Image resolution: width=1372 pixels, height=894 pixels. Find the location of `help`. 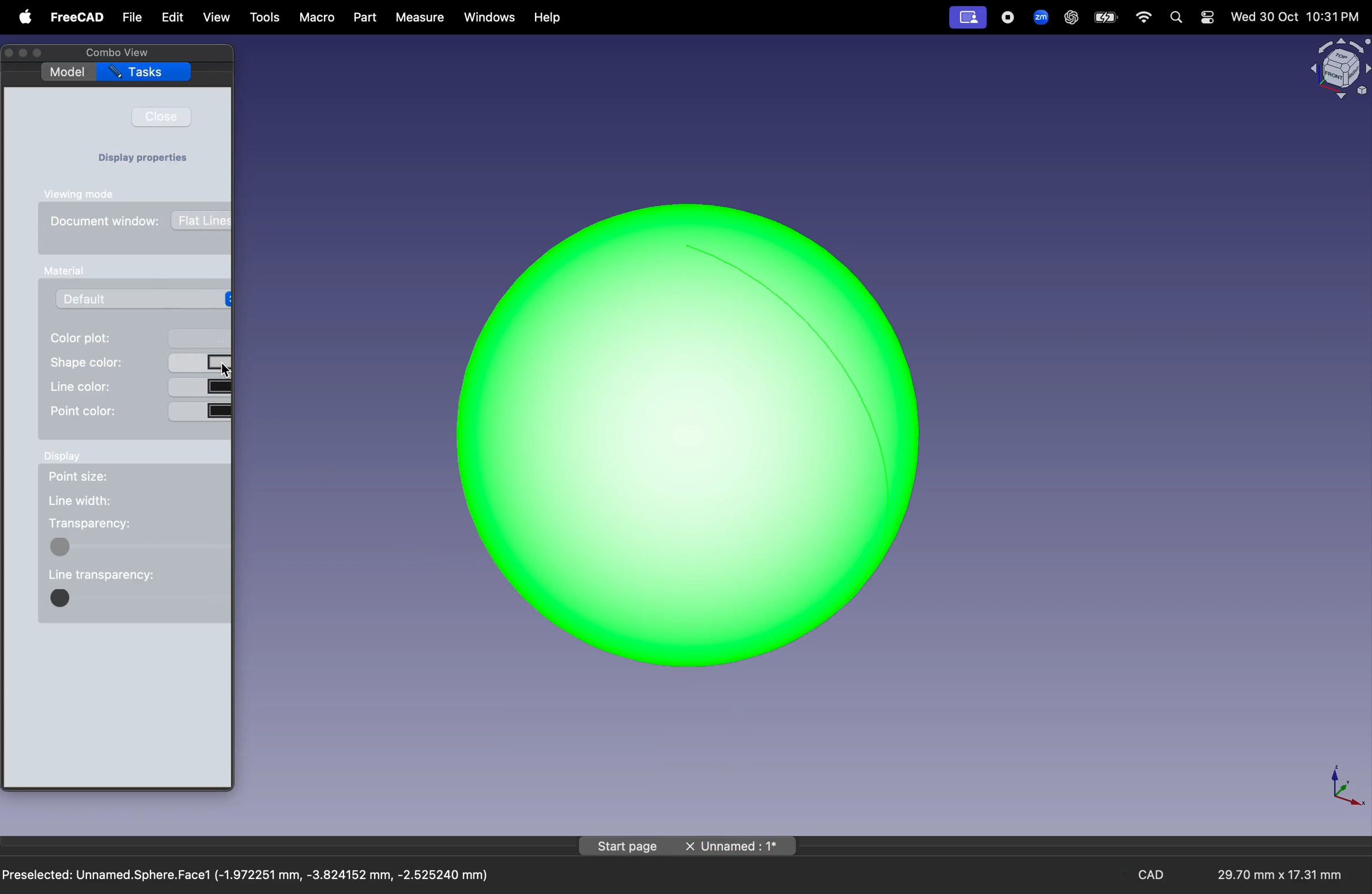

help is located at coordinates (549, 18).